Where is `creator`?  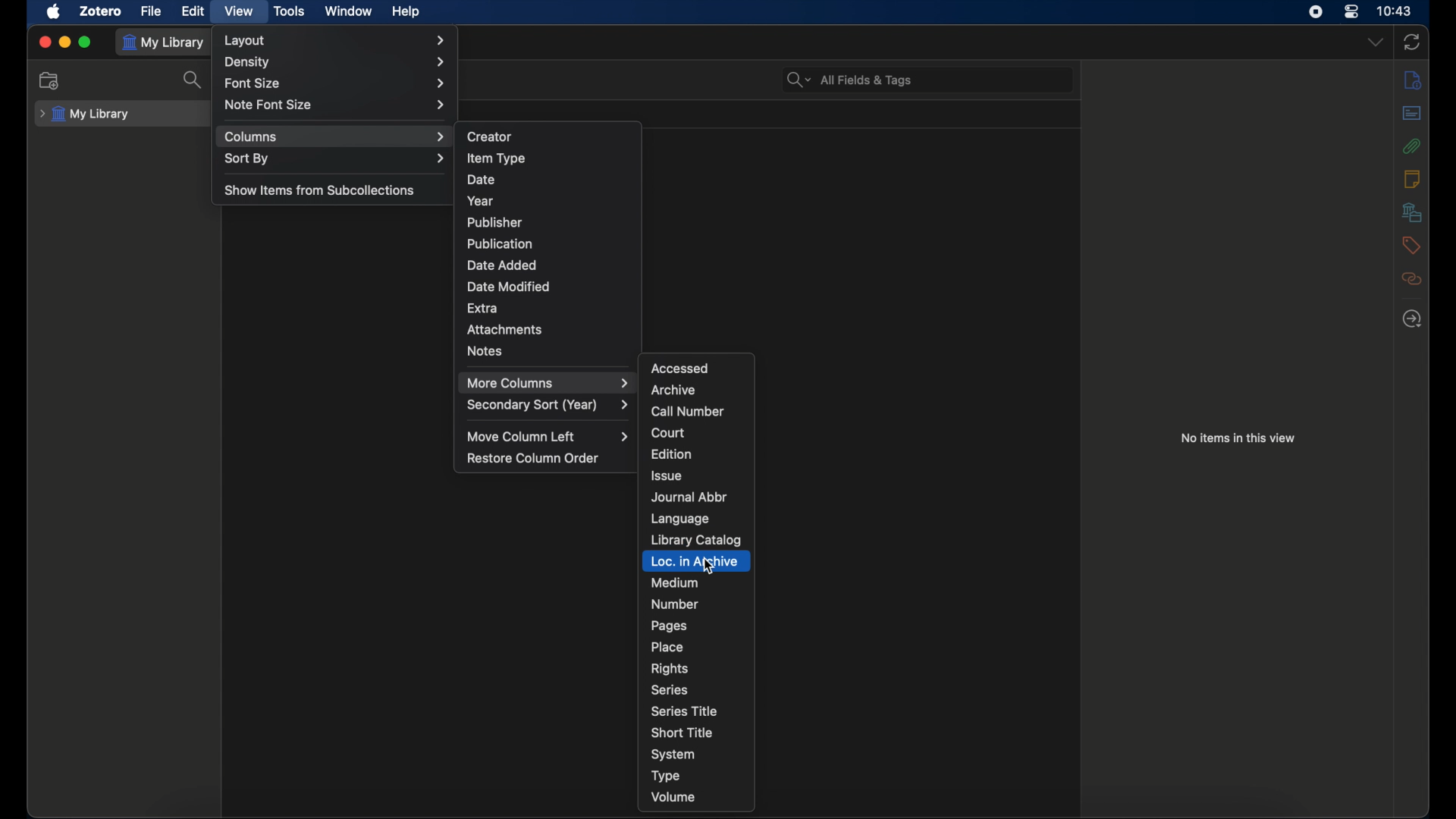 creator is located at coordinates (490, 136).